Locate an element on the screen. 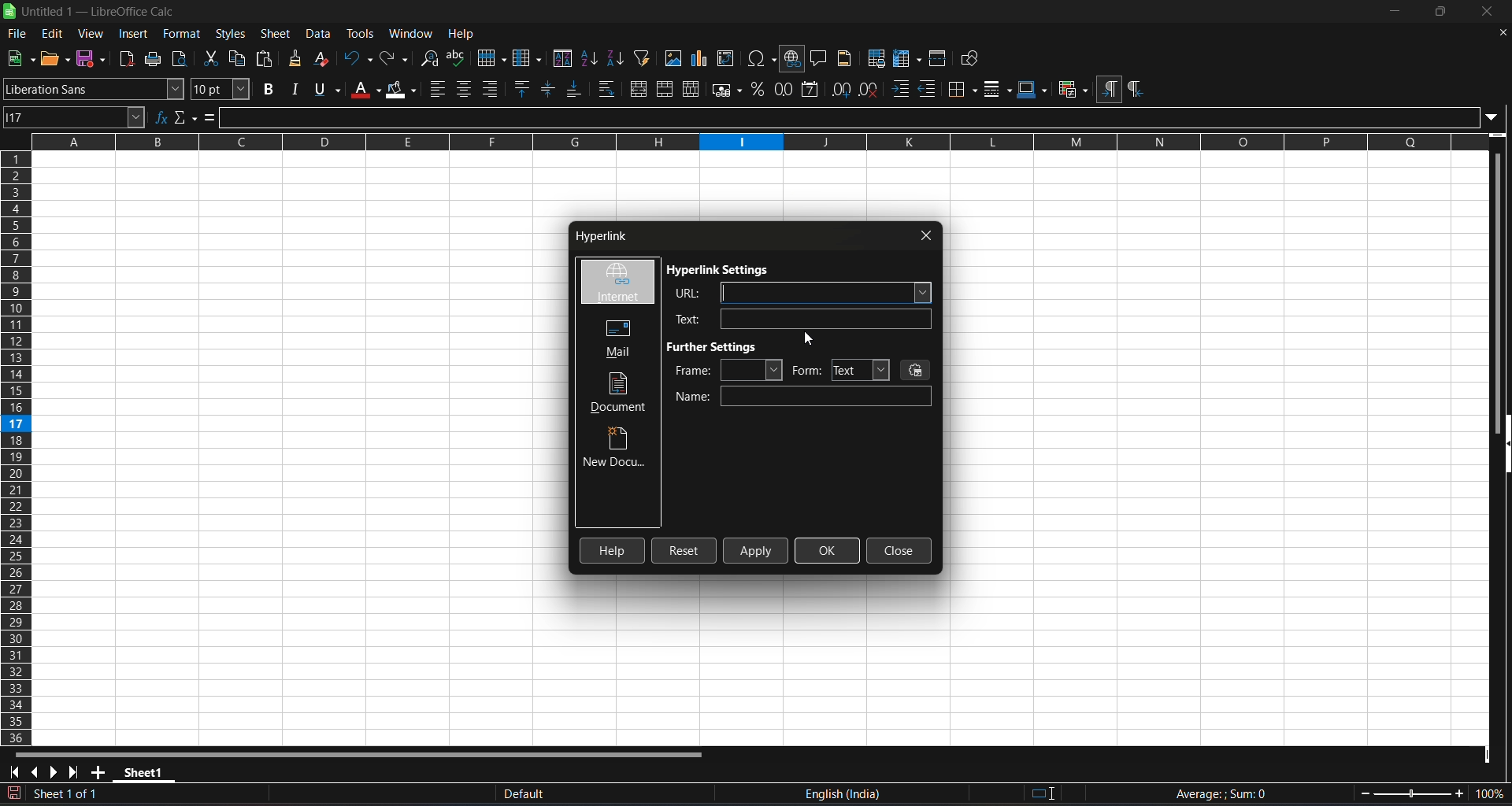 Image resolution: width=1512 pixels, height=806 pixels. close is located at coordinates (927, 235).